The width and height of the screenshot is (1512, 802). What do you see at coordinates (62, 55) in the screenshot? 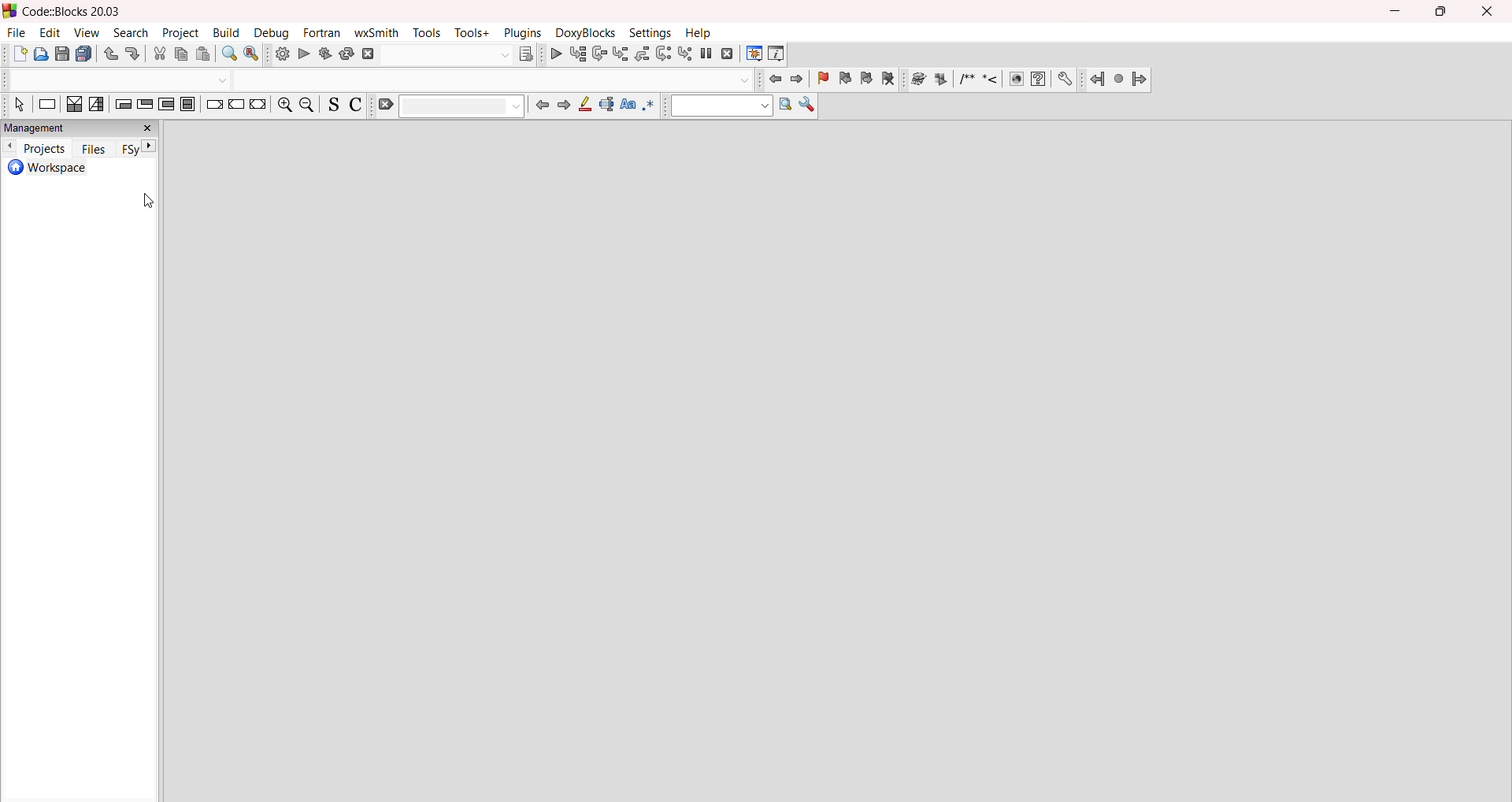
I see `save` at bounding box center [62, 55].